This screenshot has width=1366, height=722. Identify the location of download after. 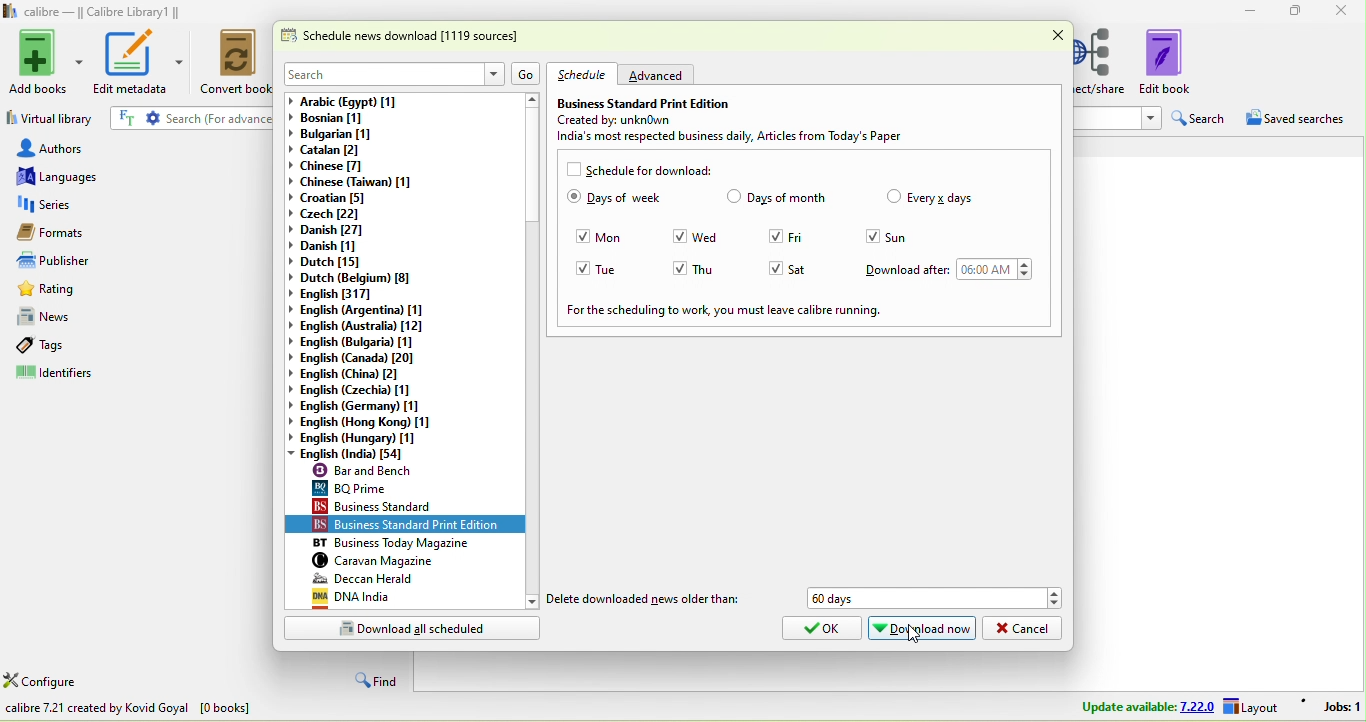
(907, 269).